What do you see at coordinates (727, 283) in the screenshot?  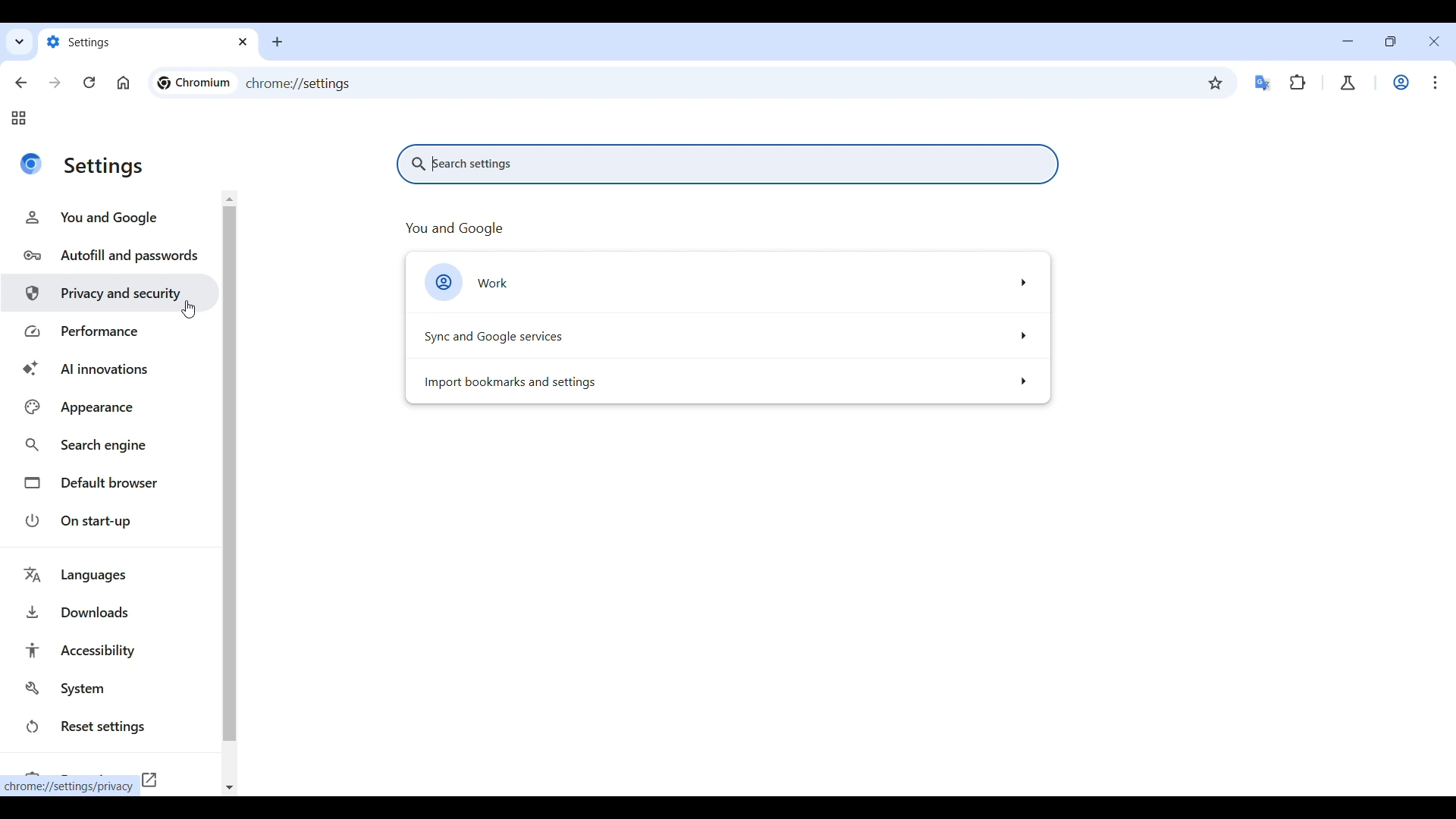 I see `Work ` at bounding box center [727, 283].